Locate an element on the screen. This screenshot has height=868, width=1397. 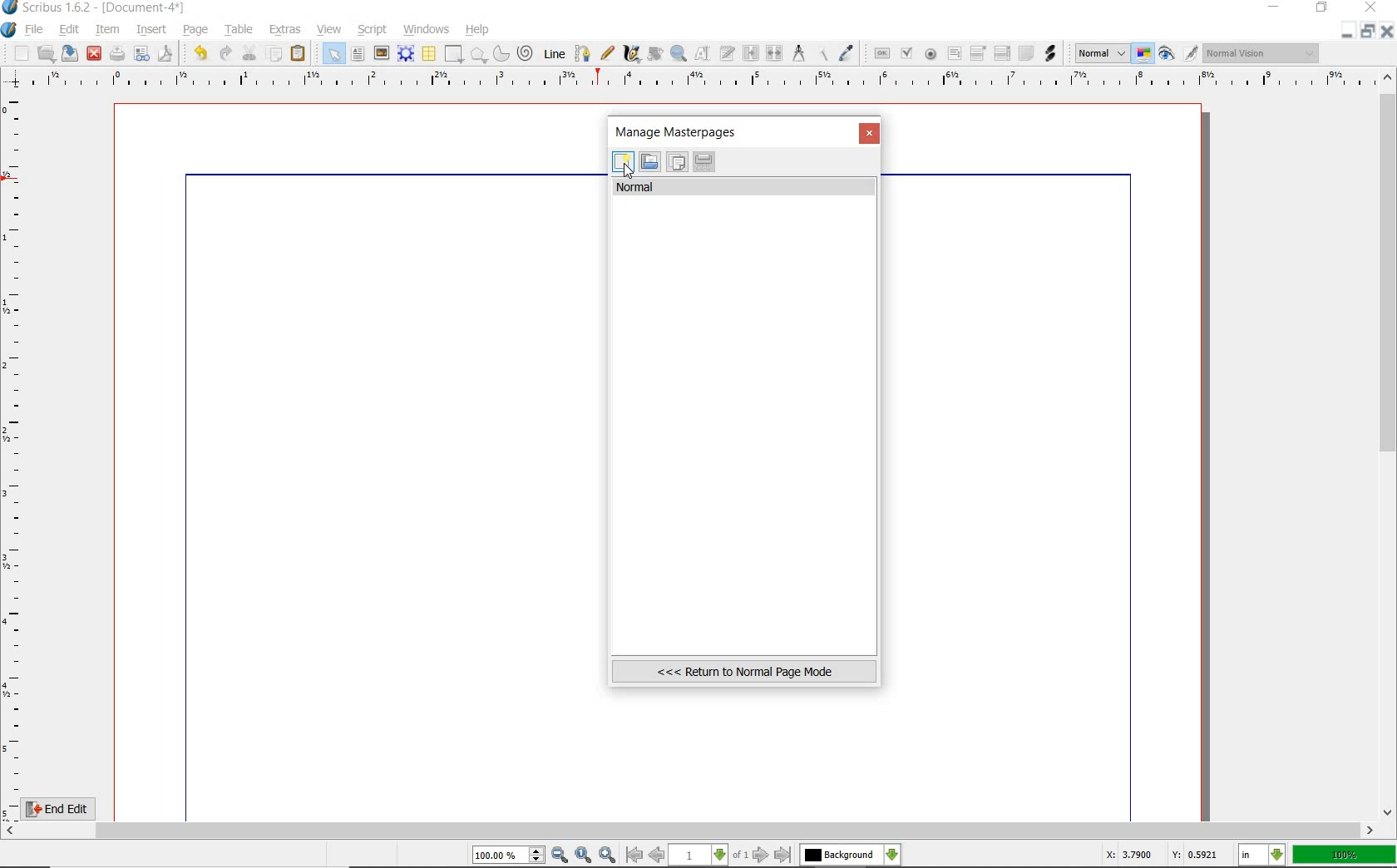
Background is located at coordinates (851, 856).